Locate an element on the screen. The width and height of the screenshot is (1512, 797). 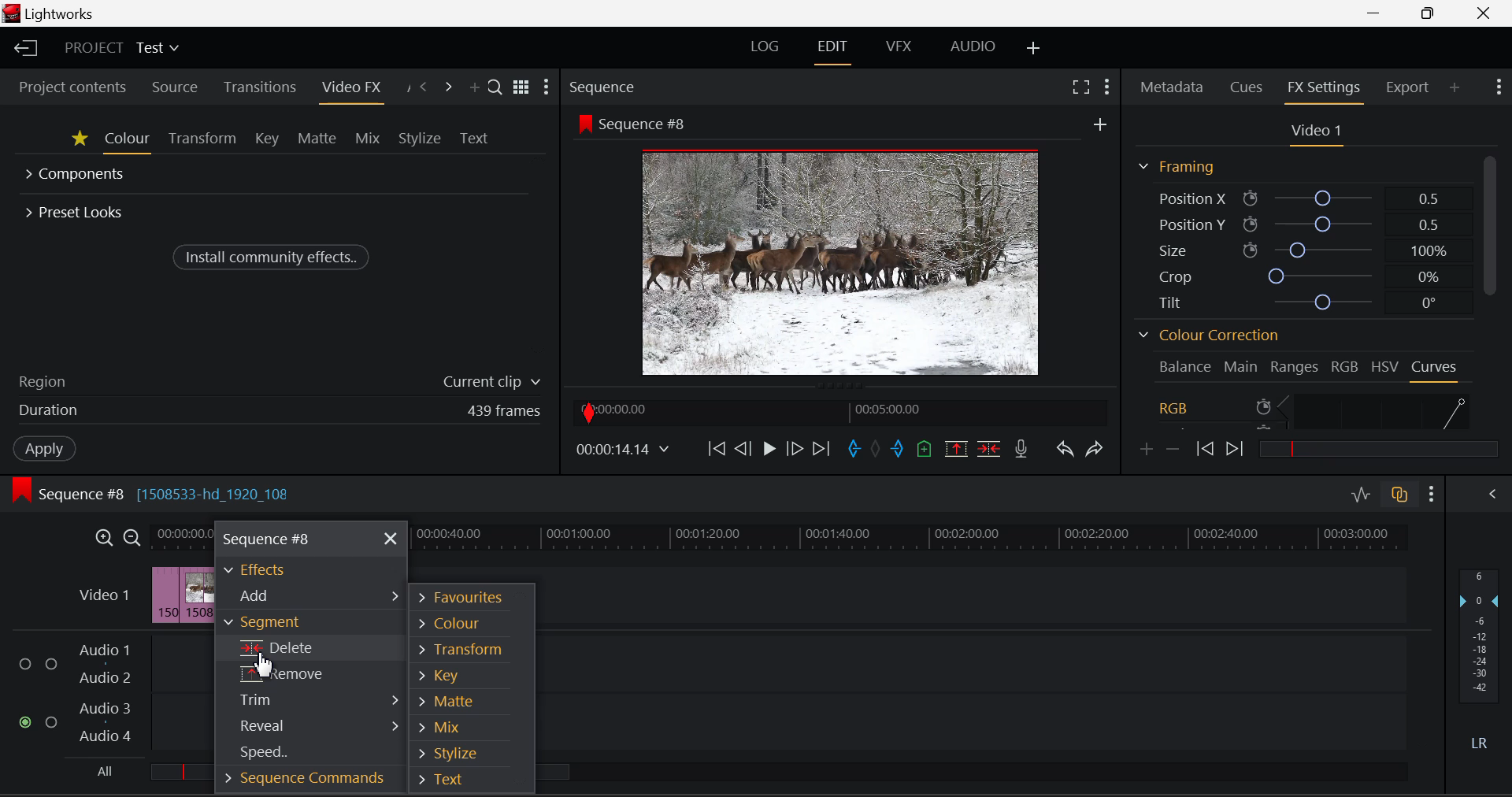
Show Settings is located at coordinates (1498, 89).